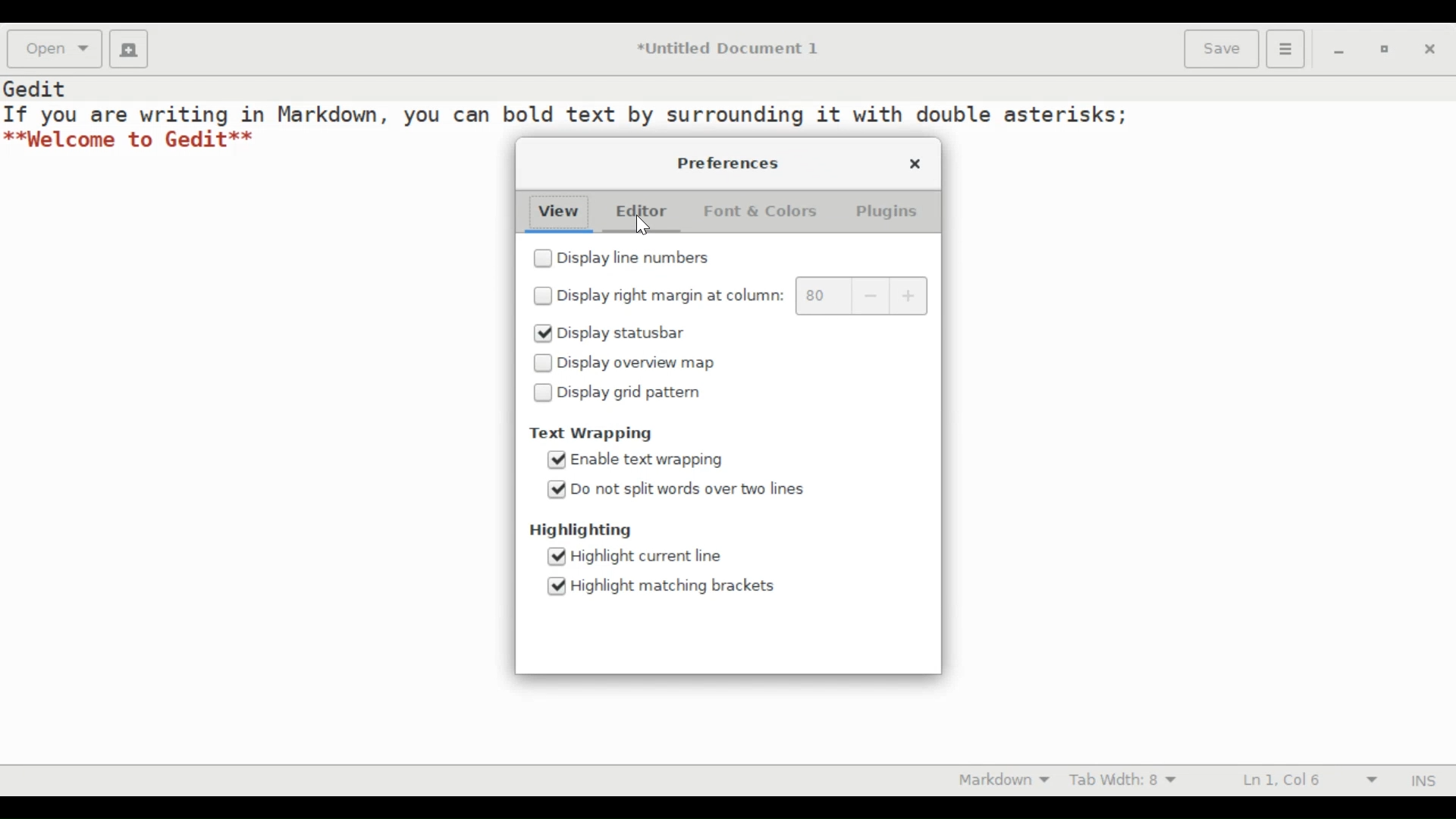 The width and height of the screenshot is (1456, 819). What do you see at coordinates (694, 489) in the screenshot?
I see `Do not split words over two lines` at bounding box center [694, 489].